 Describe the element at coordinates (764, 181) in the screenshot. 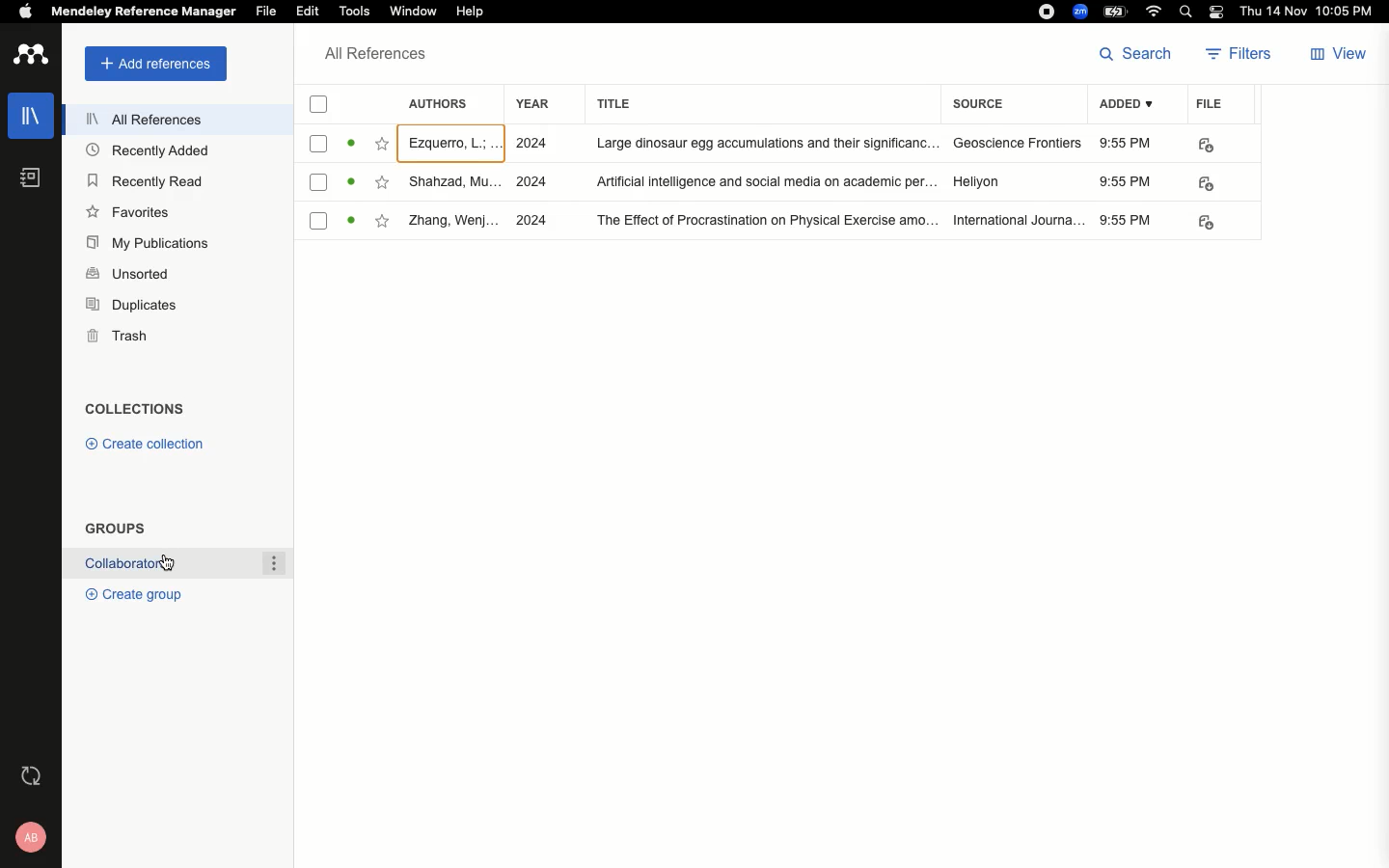

I see `title` at that location.